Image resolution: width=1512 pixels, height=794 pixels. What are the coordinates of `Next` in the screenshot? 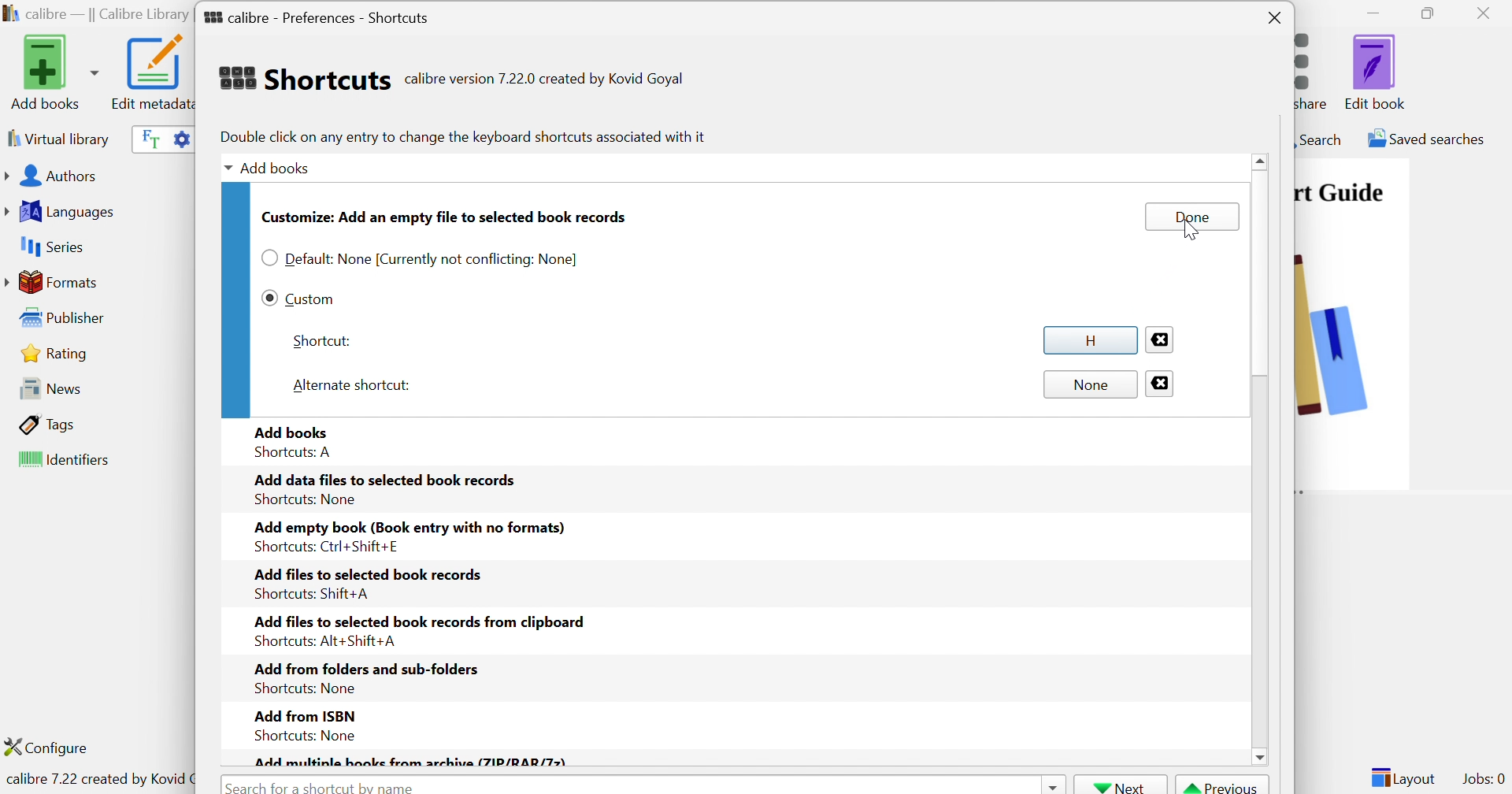 It's located at (1121, 785).